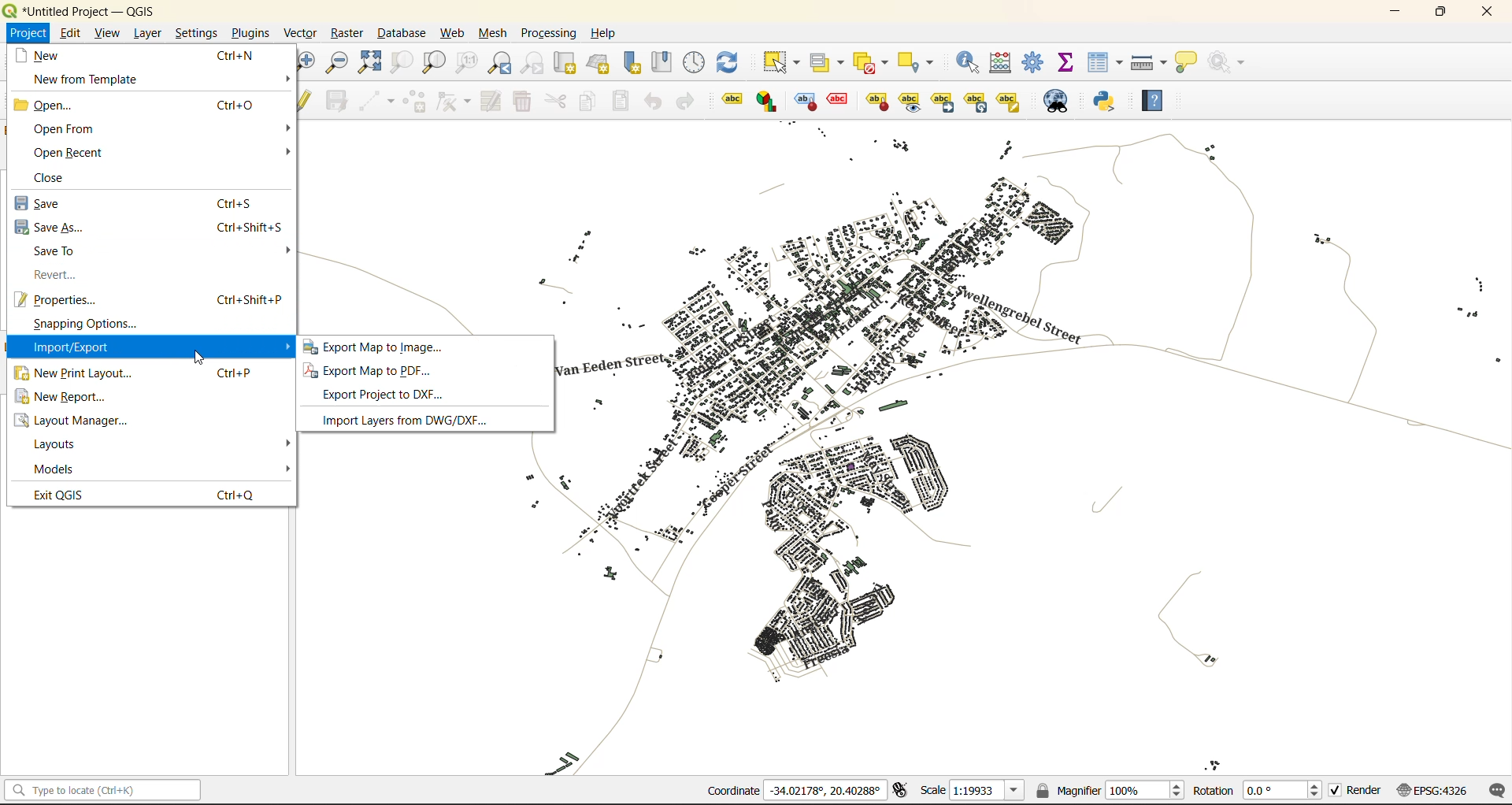 The height and width of the screenshot is (805, 1512). Describe the element at coordinates (1487, 11) in the screenshot. I see `close` at that location.